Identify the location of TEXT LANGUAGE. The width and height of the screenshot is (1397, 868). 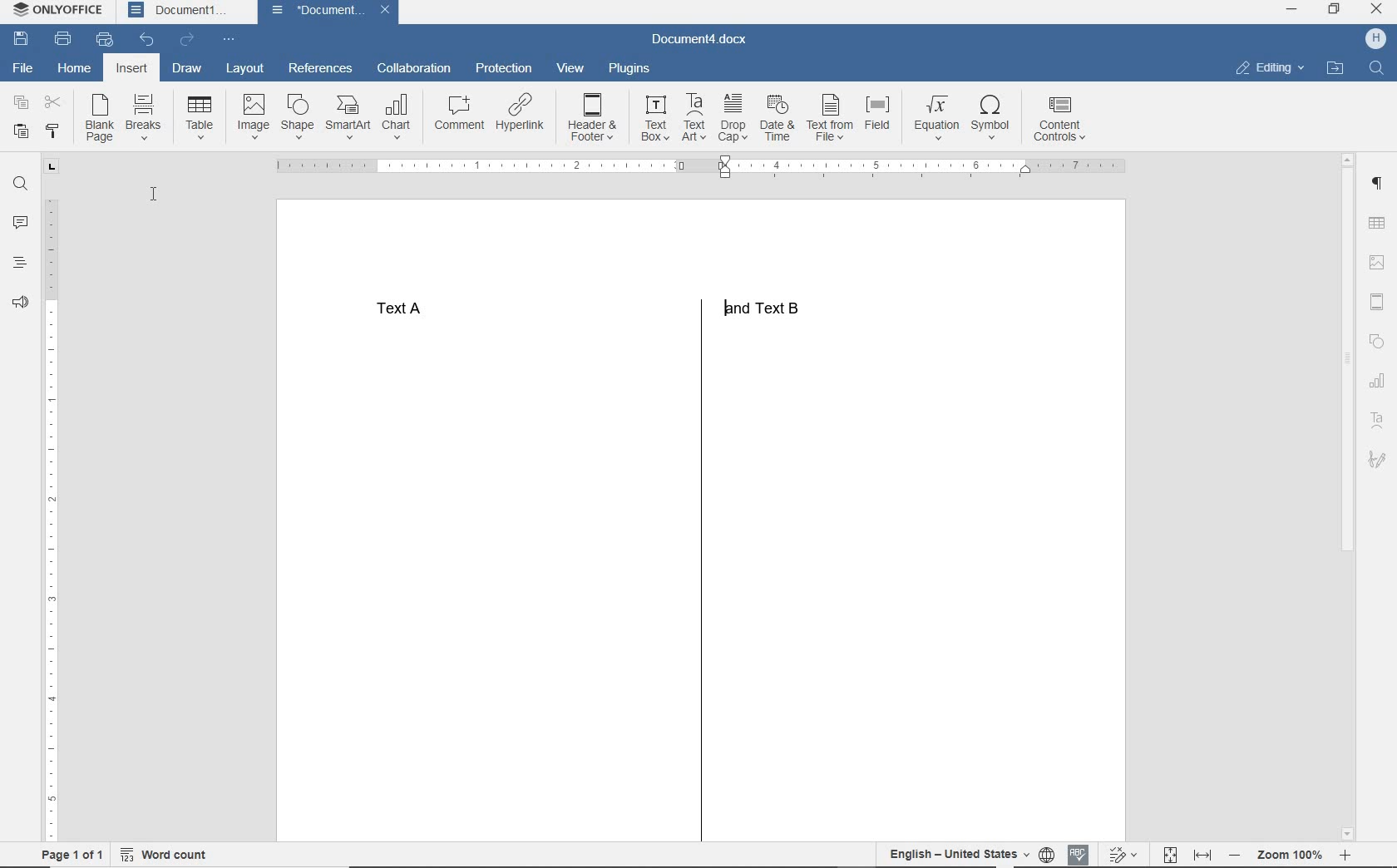
(957, 853).